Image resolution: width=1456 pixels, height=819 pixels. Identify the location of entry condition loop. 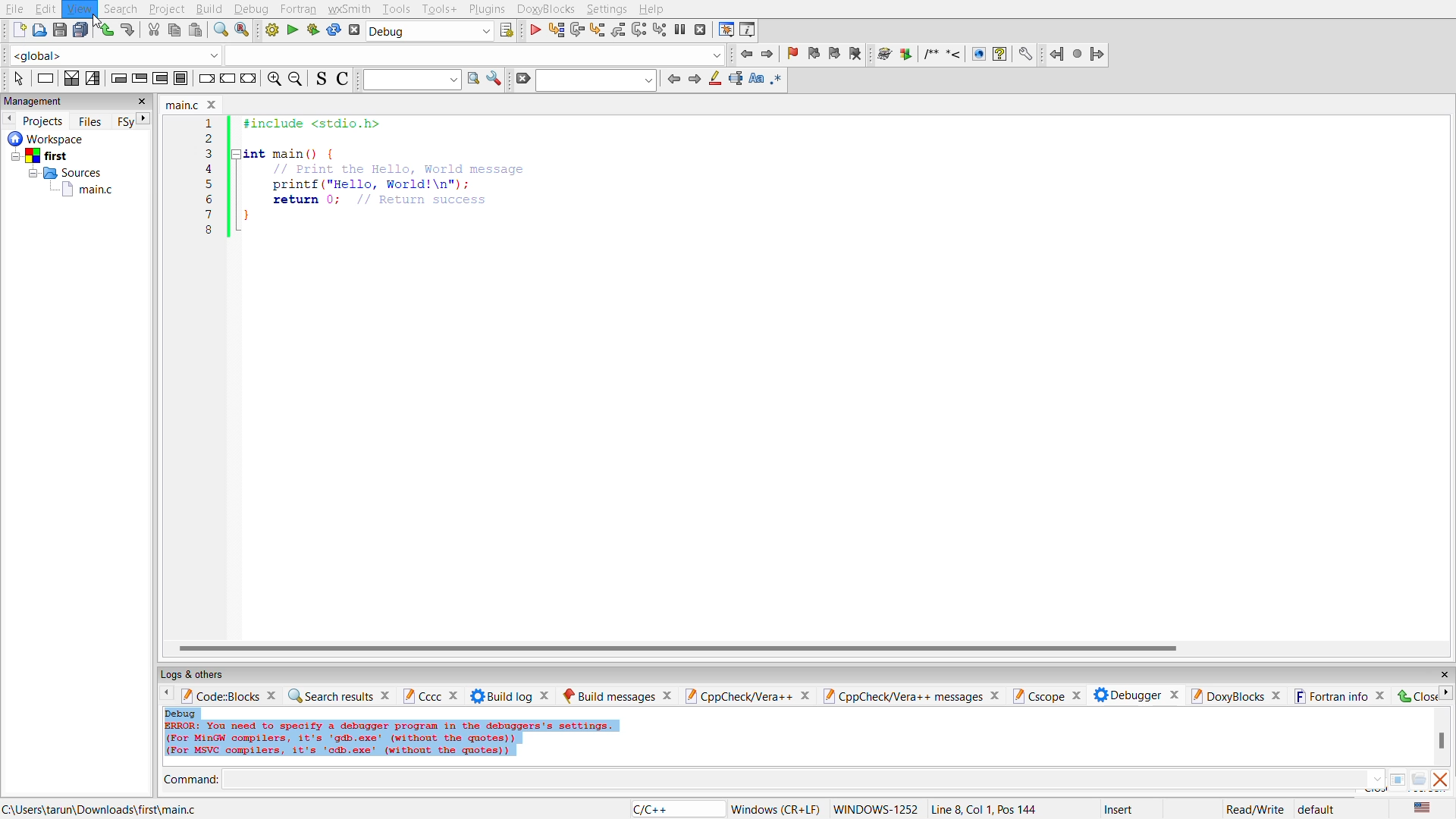
(117, 78).